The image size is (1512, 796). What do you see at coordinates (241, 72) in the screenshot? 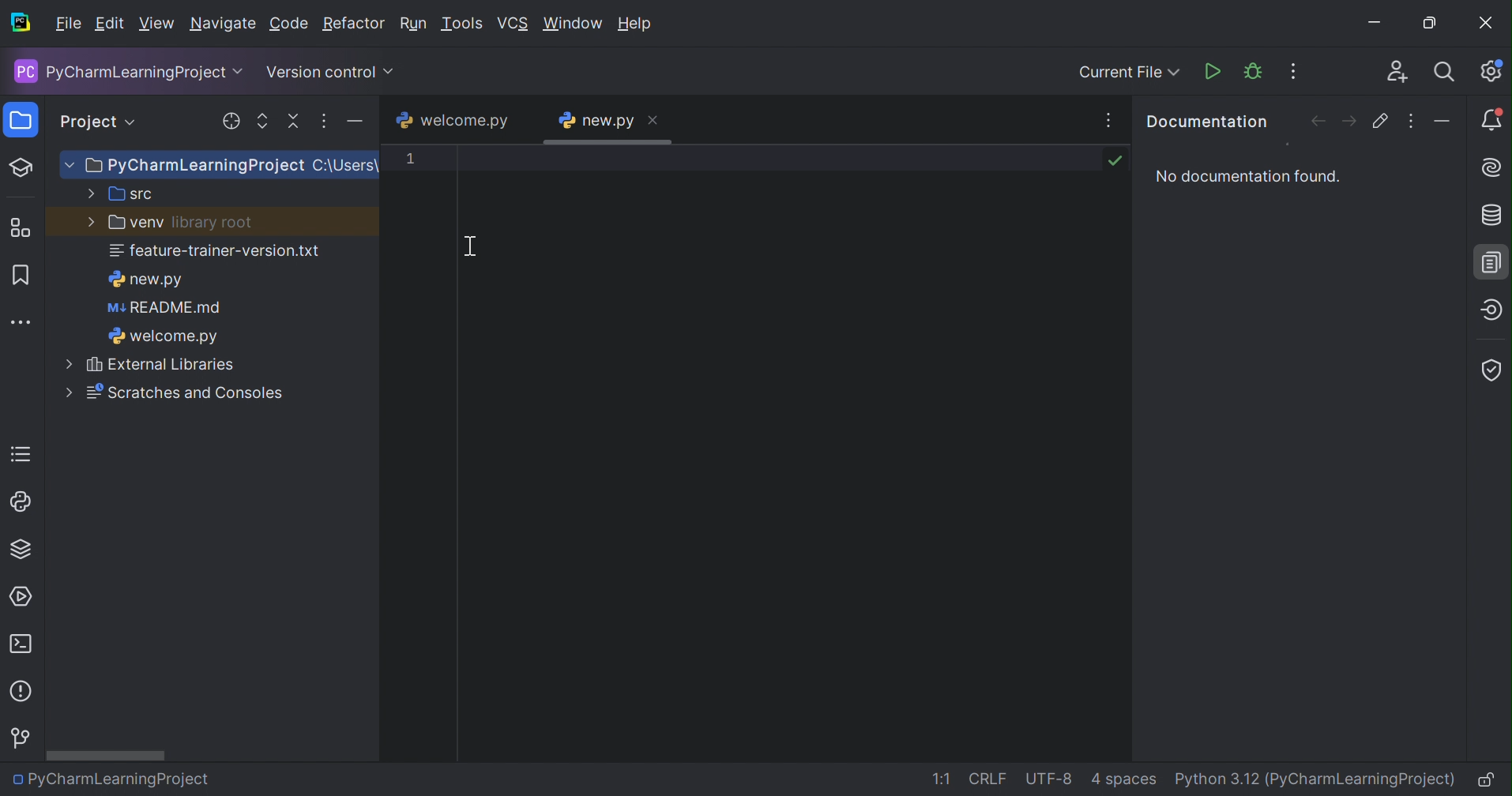
I see `Drop down` at bounding box center [241, 72].